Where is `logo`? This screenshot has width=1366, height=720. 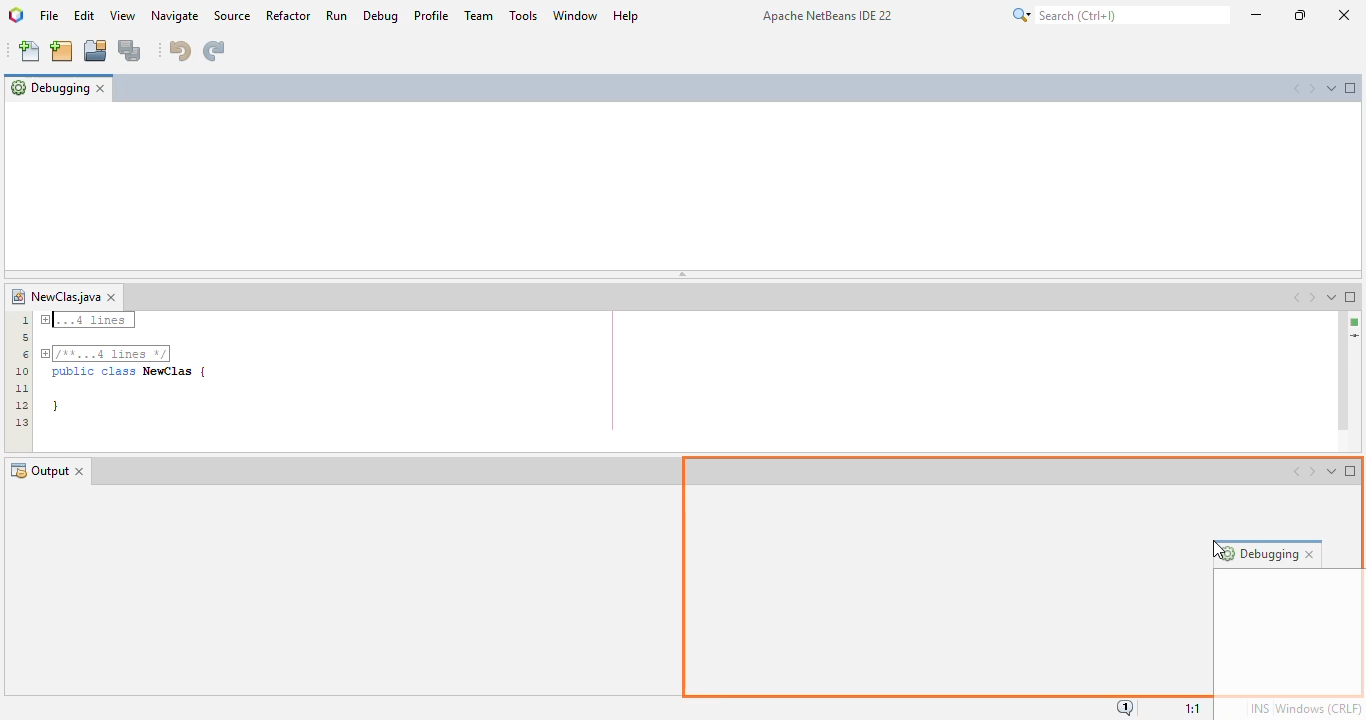 logo is located at coordinates (17, 16).